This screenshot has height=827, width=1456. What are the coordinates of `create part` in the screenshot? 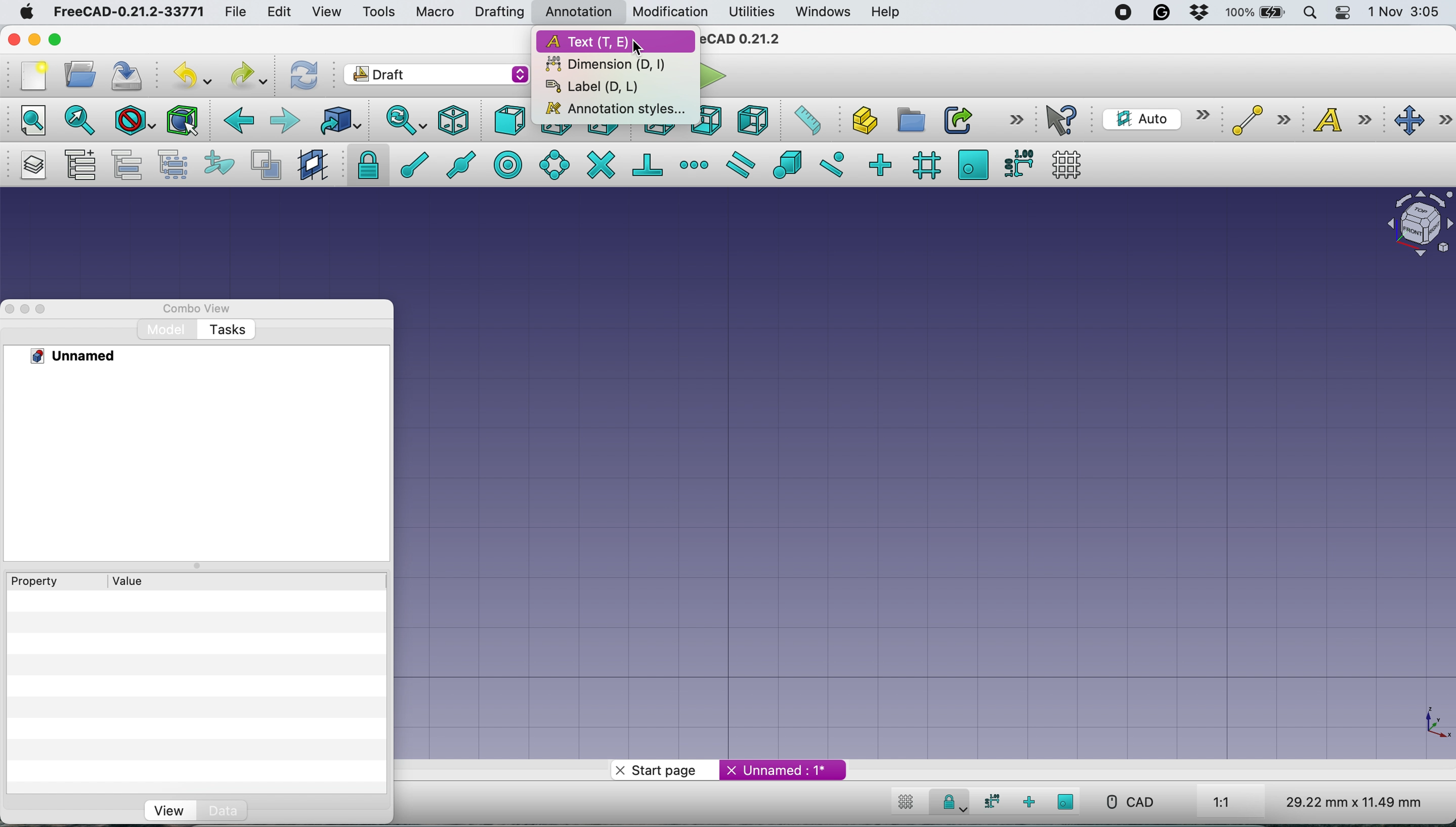 It's located at (906, 120).